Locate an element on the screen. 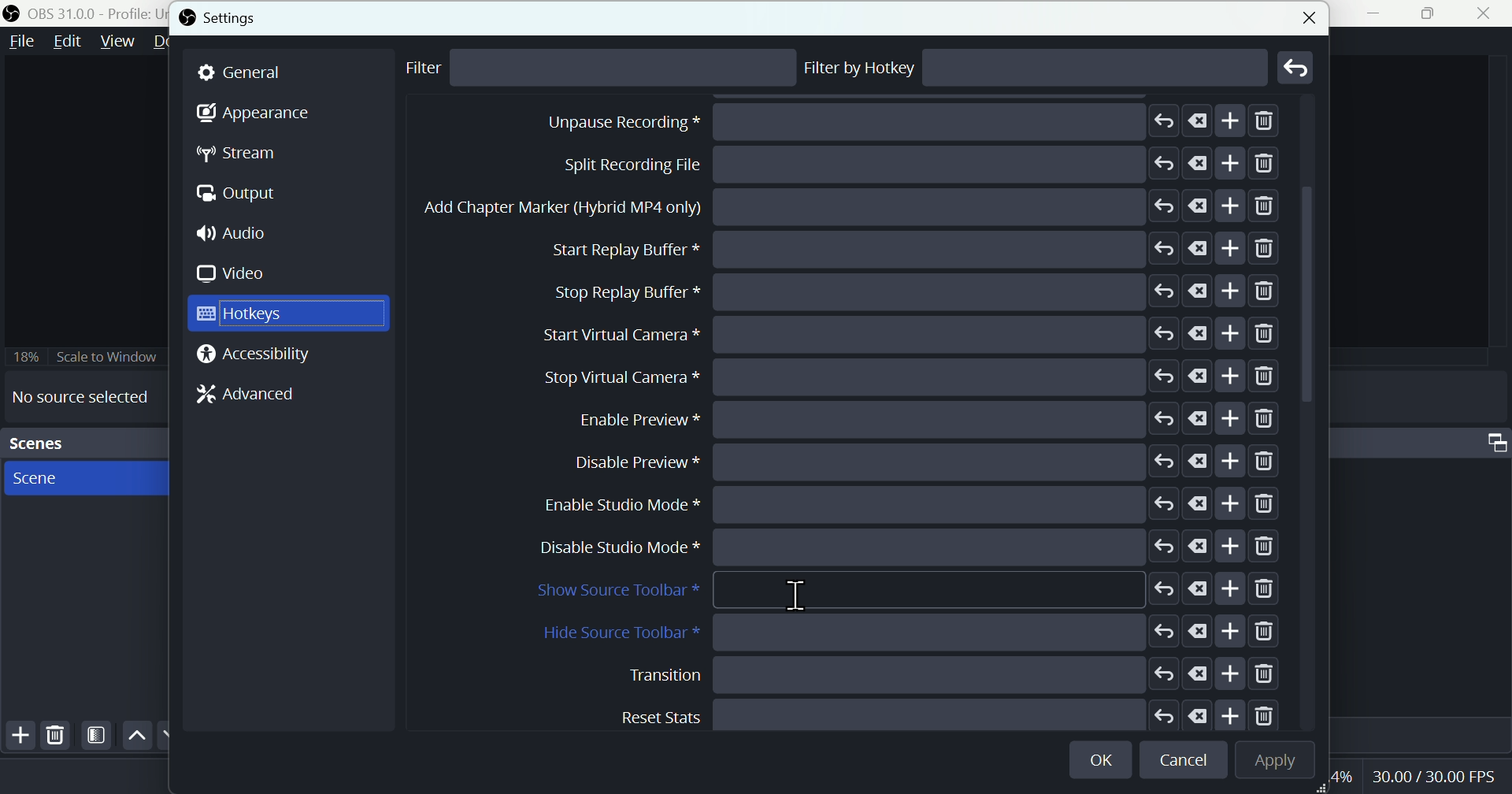  text cursor is located at coordinates (798, 594).